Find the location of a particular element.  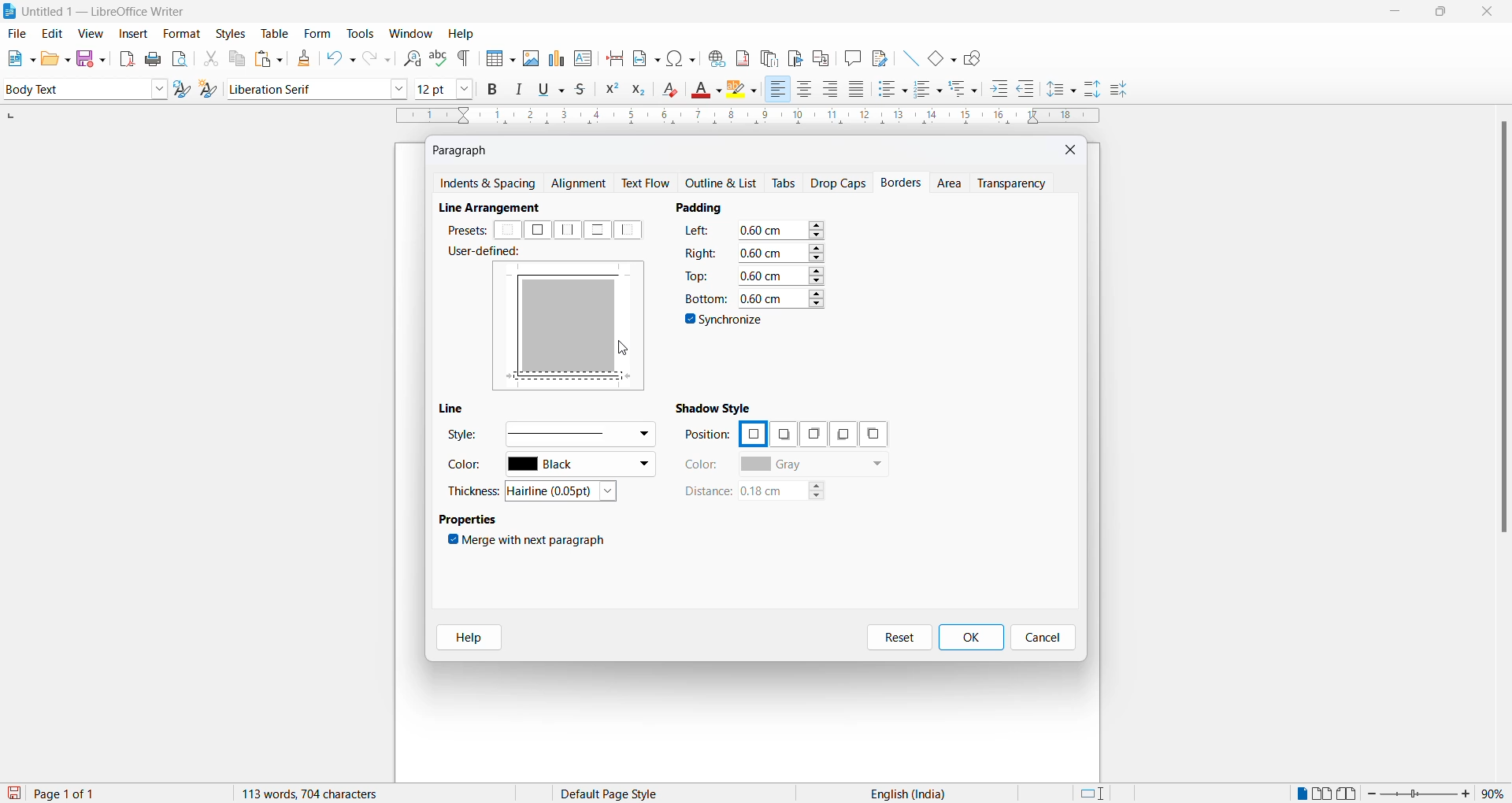

underline is located at coordinates (554, 89).